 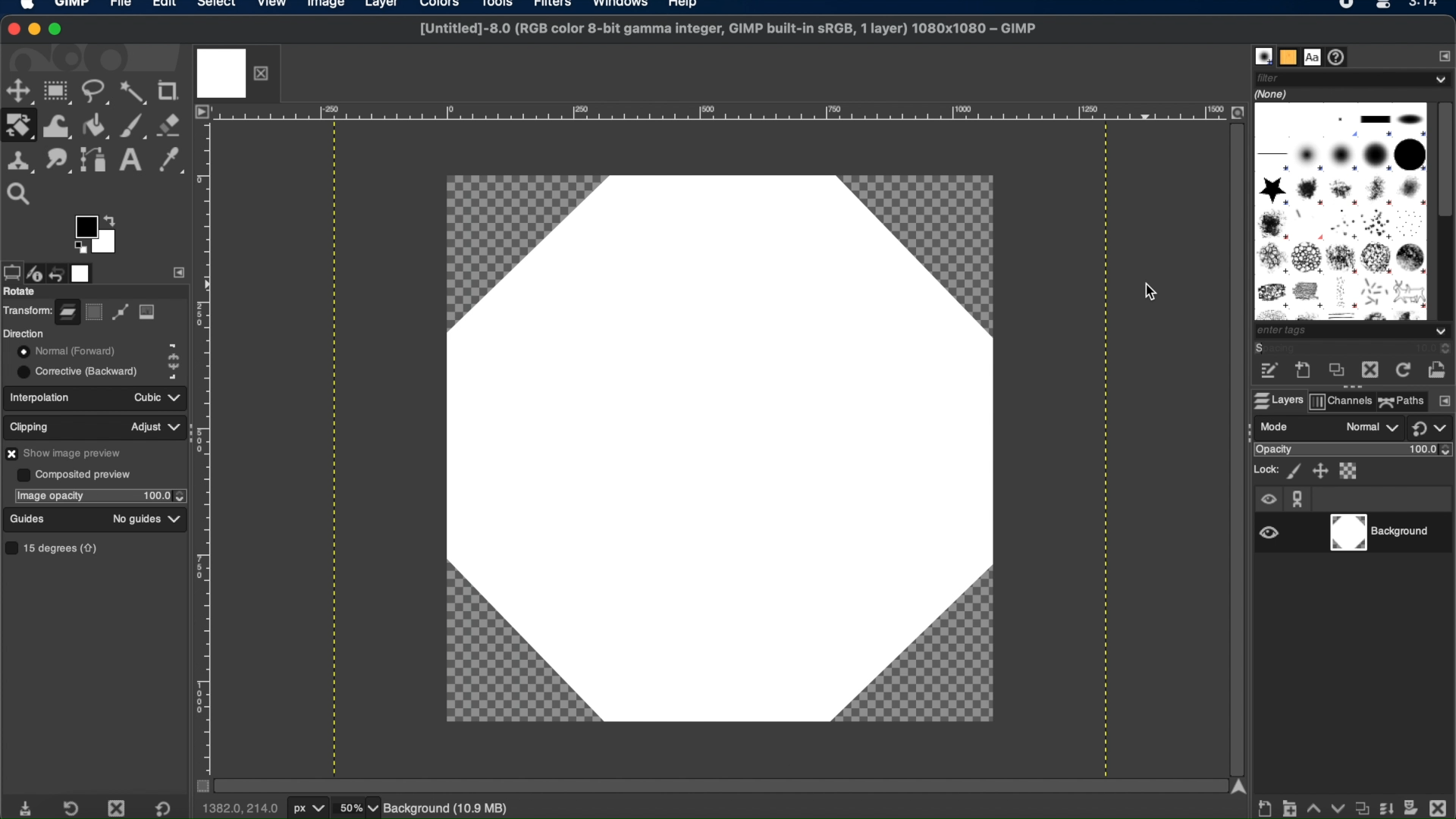 What do you see at coordinates (502, 6) in the screenshot?
I see `tools` at bounding box center [502, 6].